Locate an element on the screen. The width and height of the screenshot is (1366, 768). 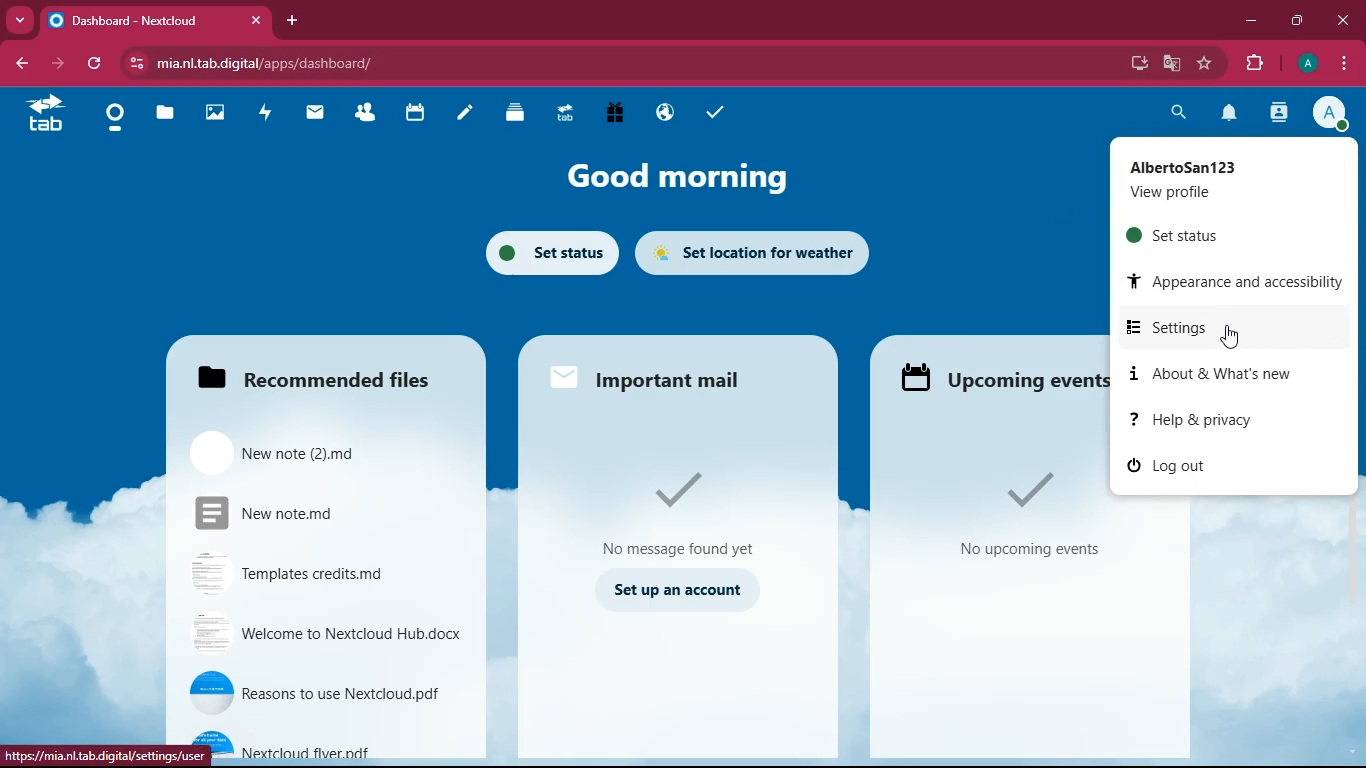
mia.nl.tab.digital/apps/dashboard/ is located at coordinates (271, 65).